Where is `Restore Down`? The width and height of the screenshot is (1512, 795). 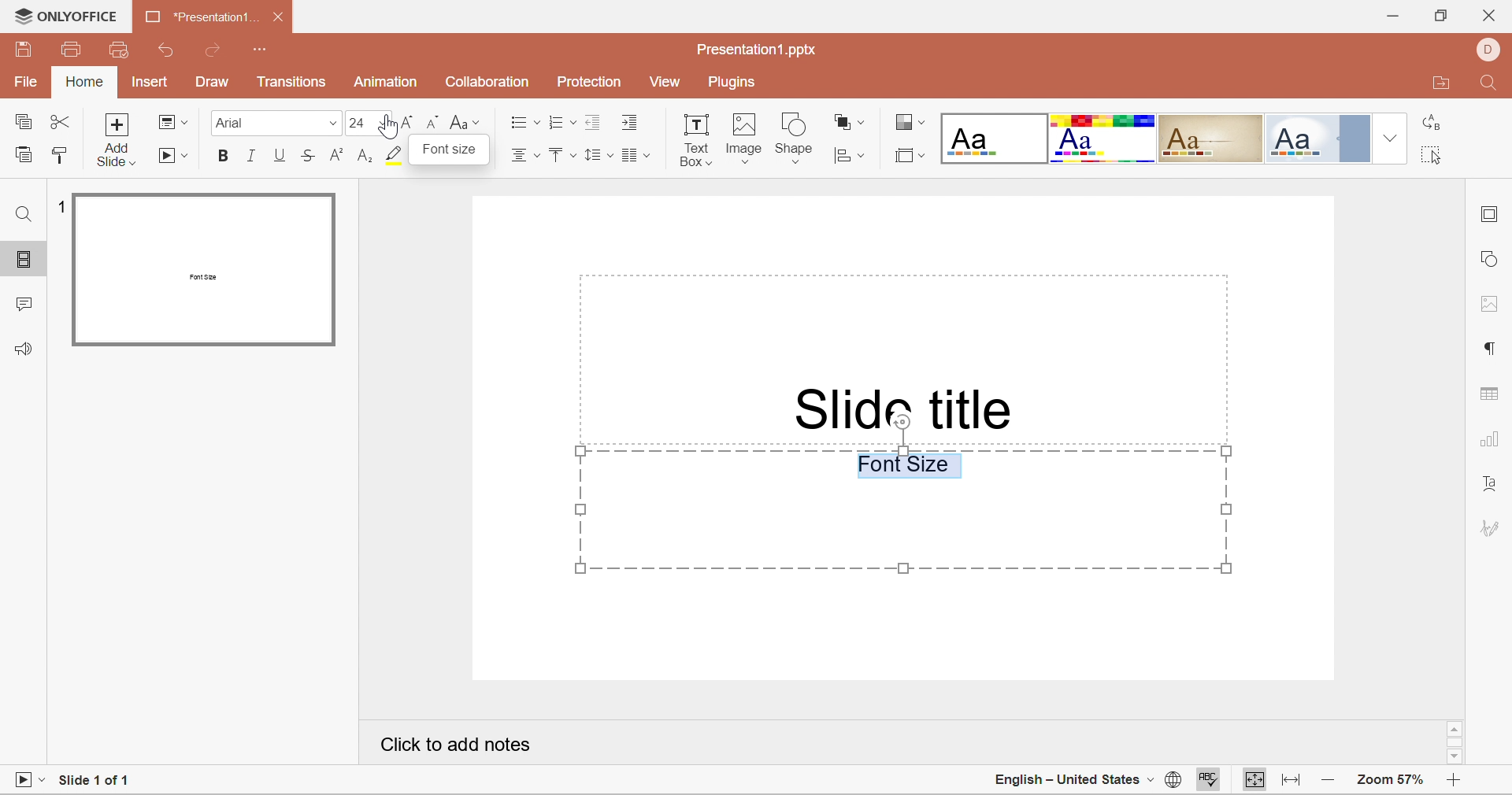 Restore Down is located at coordinates (1440, 17).